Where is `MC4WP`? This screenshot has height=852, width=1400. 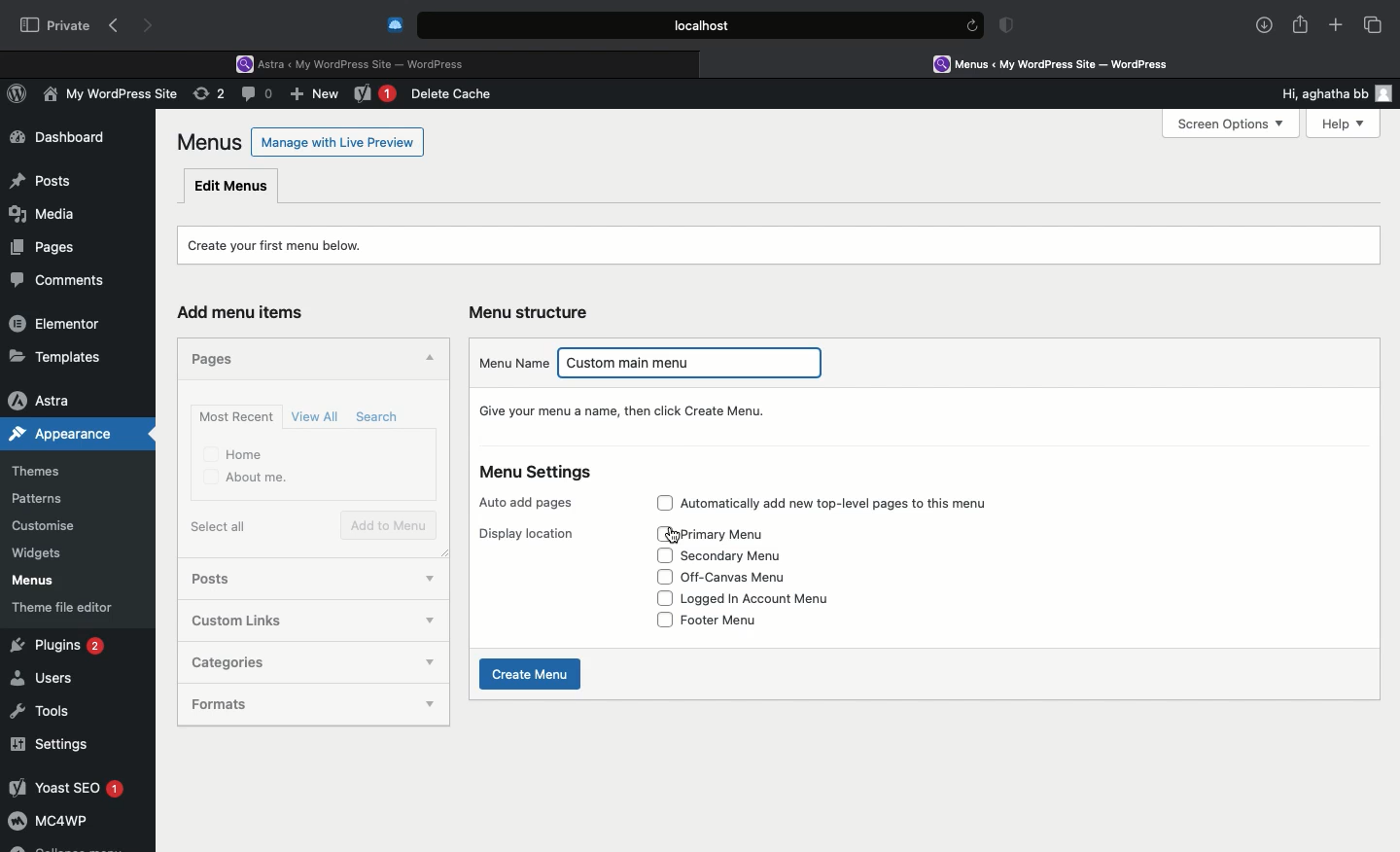 MC4WP is located at coordinates (49, 824).